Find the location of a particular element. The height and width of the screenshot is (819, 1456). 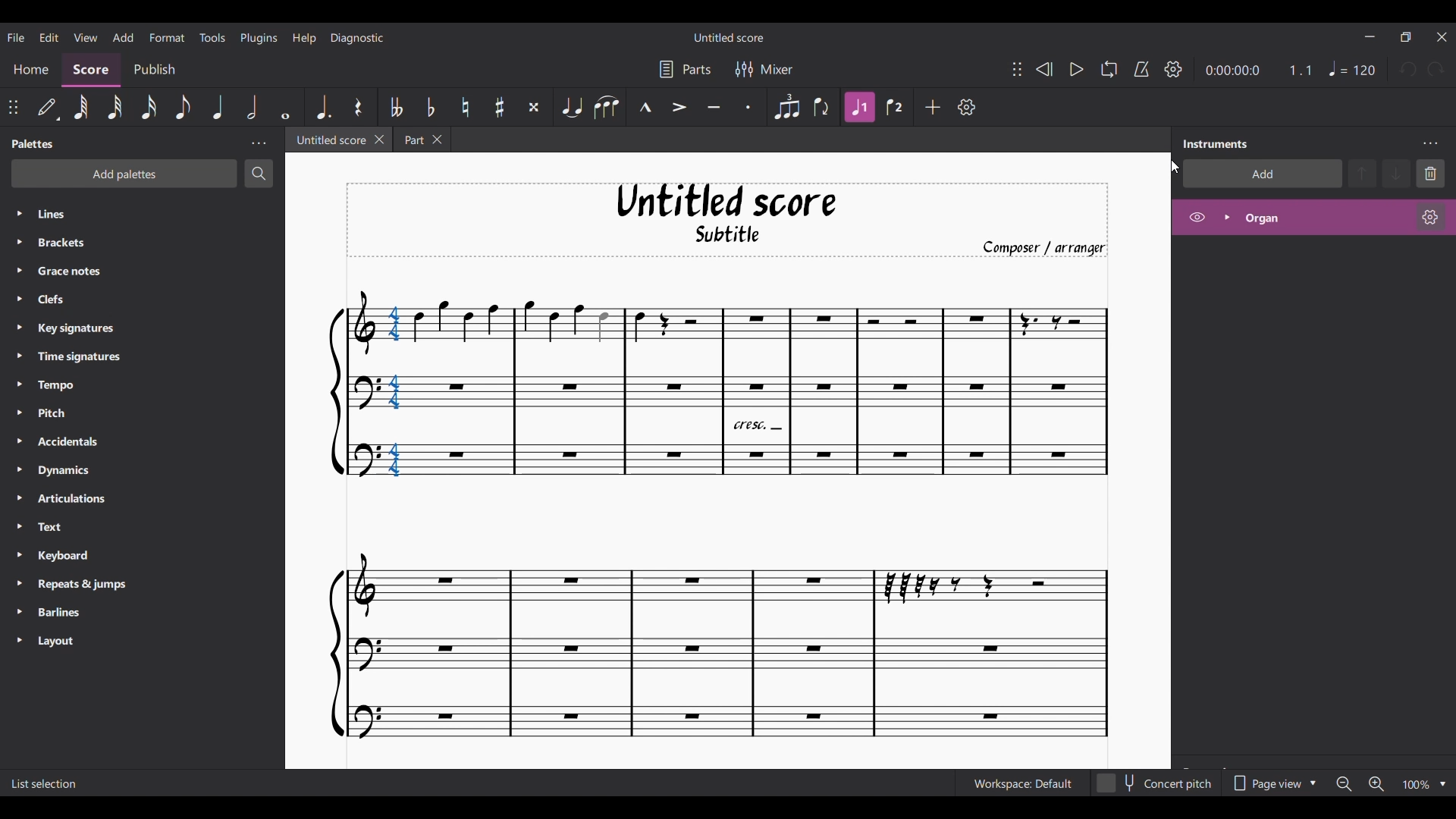

Palette panel settings is located at coordinates (259, 144).